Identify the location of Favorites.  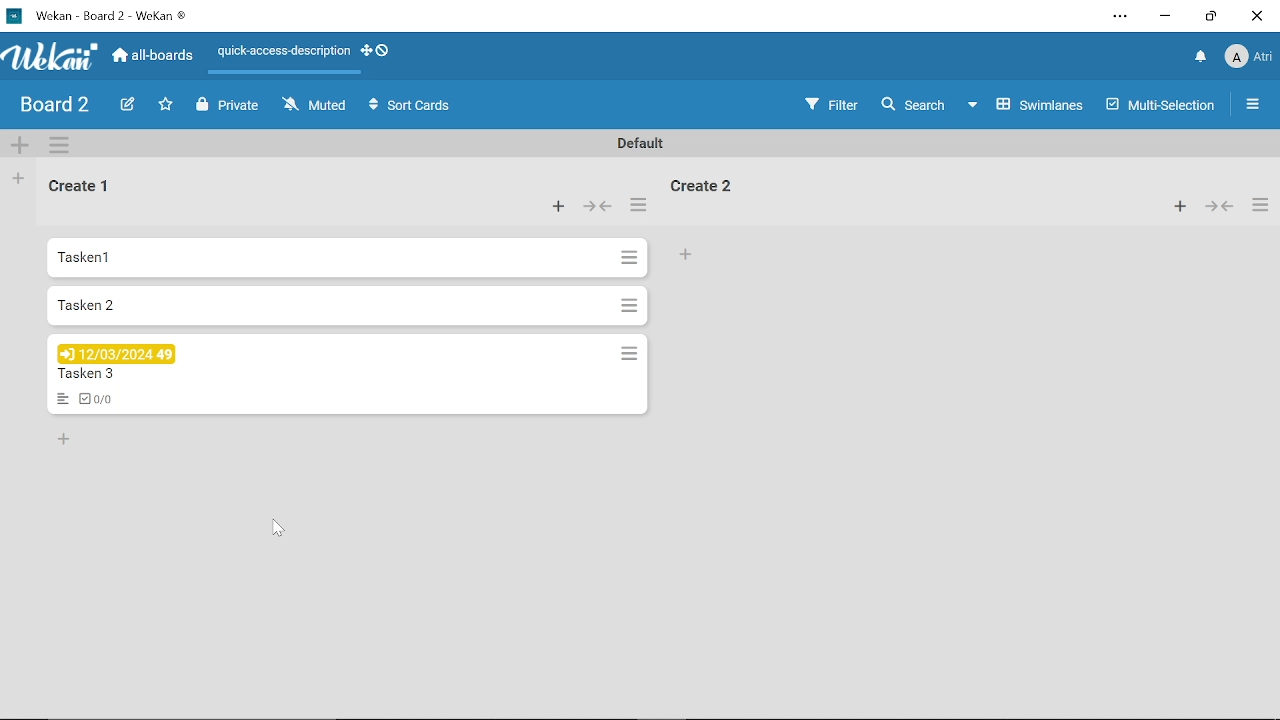
(164, 102).